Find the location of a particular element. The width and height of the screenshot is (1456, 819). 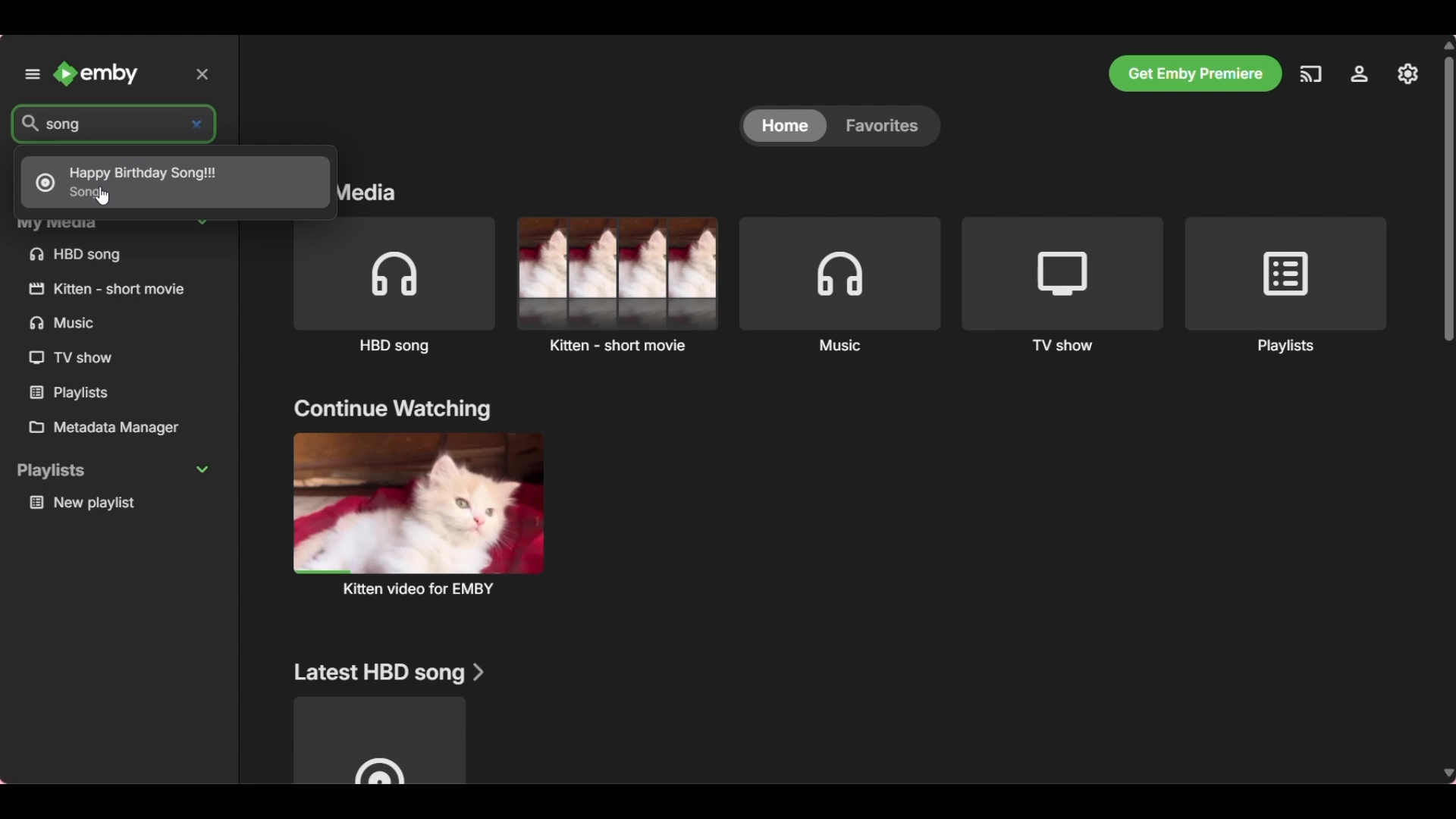

kitten video for EMBY is located at coordinates (417, 513).